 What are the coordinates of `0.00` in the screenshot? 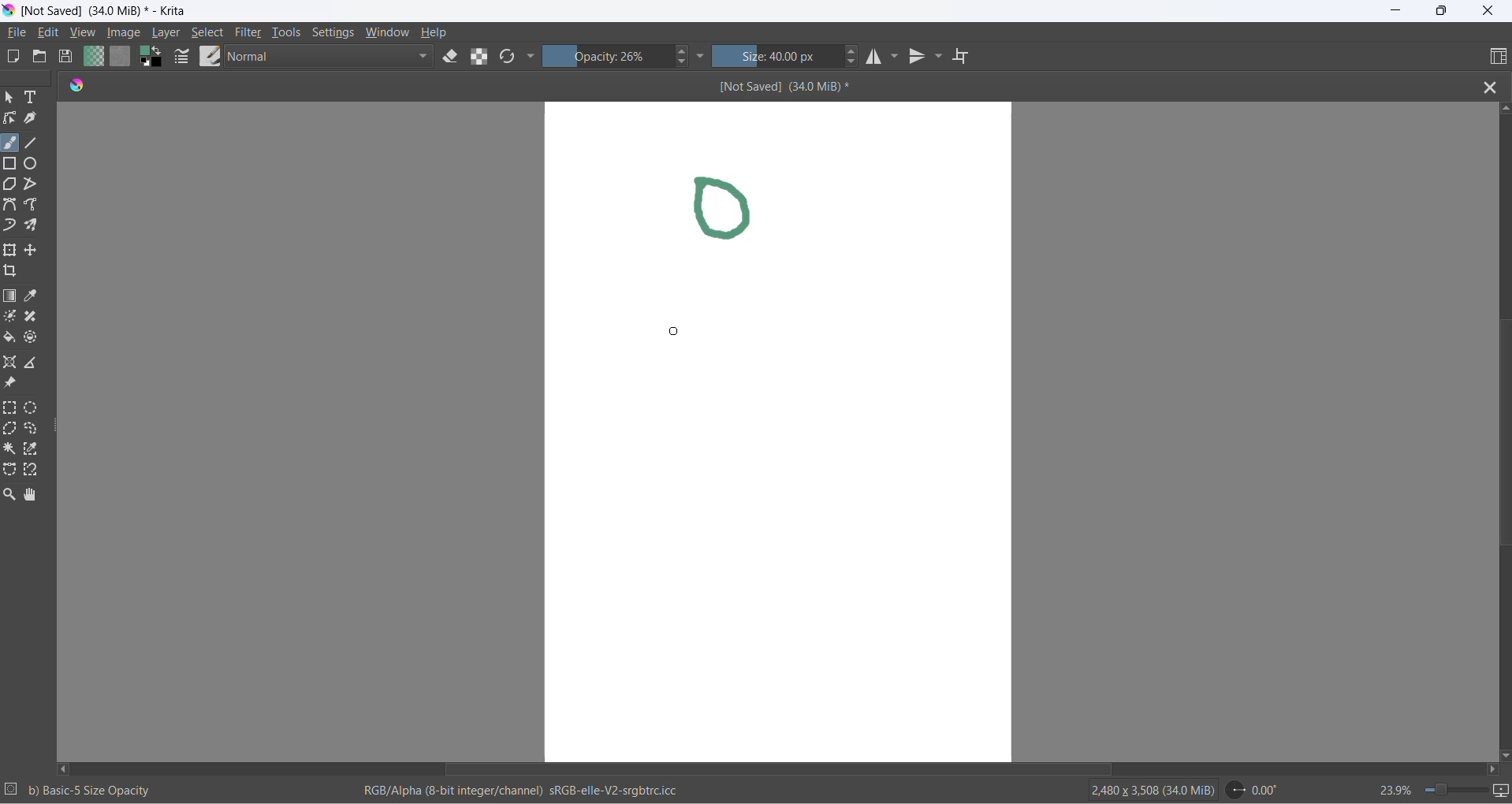 It's located at (1257, 791).